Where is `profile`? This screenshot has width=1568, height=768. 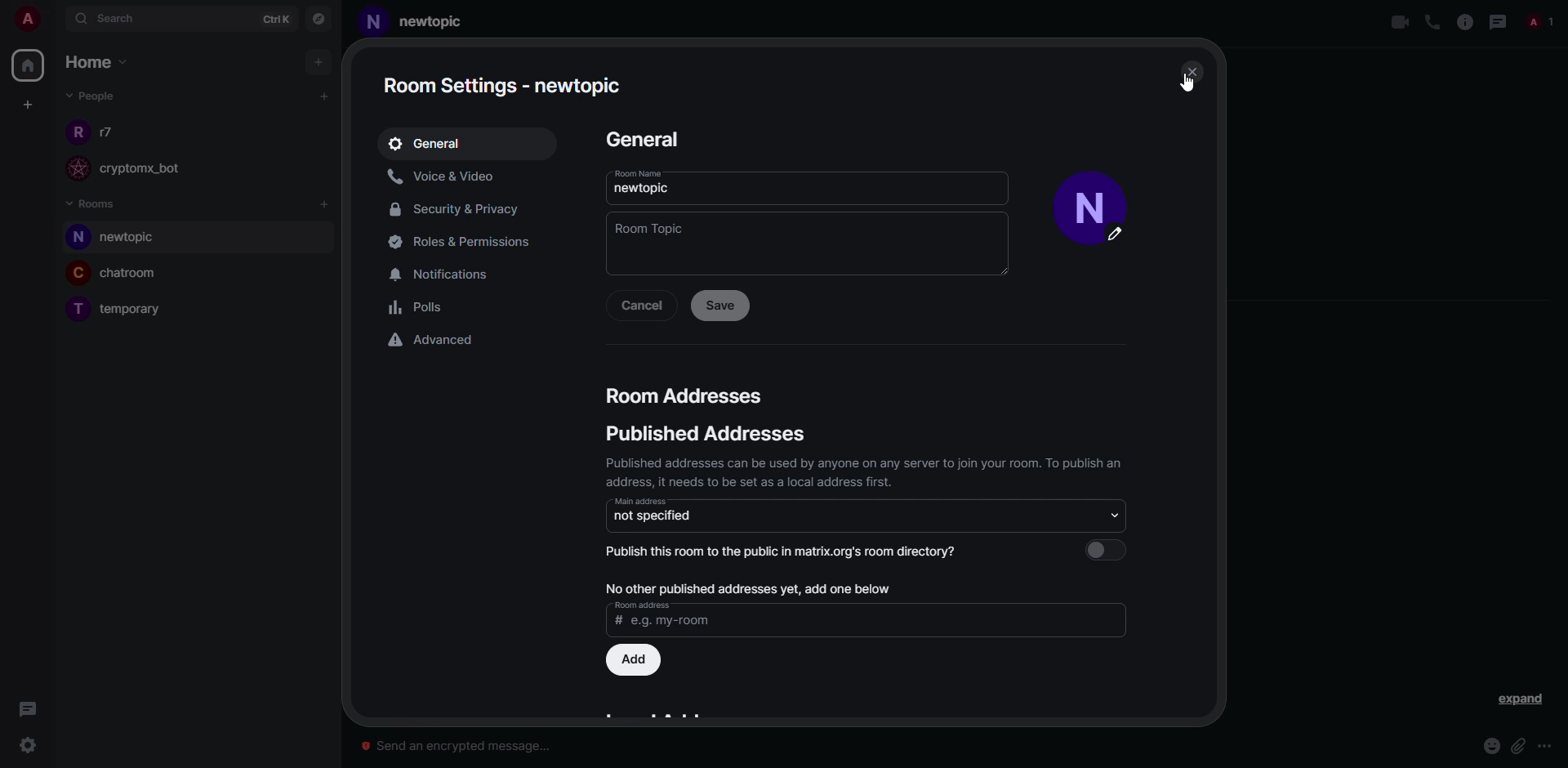 profile is located at coordinates (1085, 192).